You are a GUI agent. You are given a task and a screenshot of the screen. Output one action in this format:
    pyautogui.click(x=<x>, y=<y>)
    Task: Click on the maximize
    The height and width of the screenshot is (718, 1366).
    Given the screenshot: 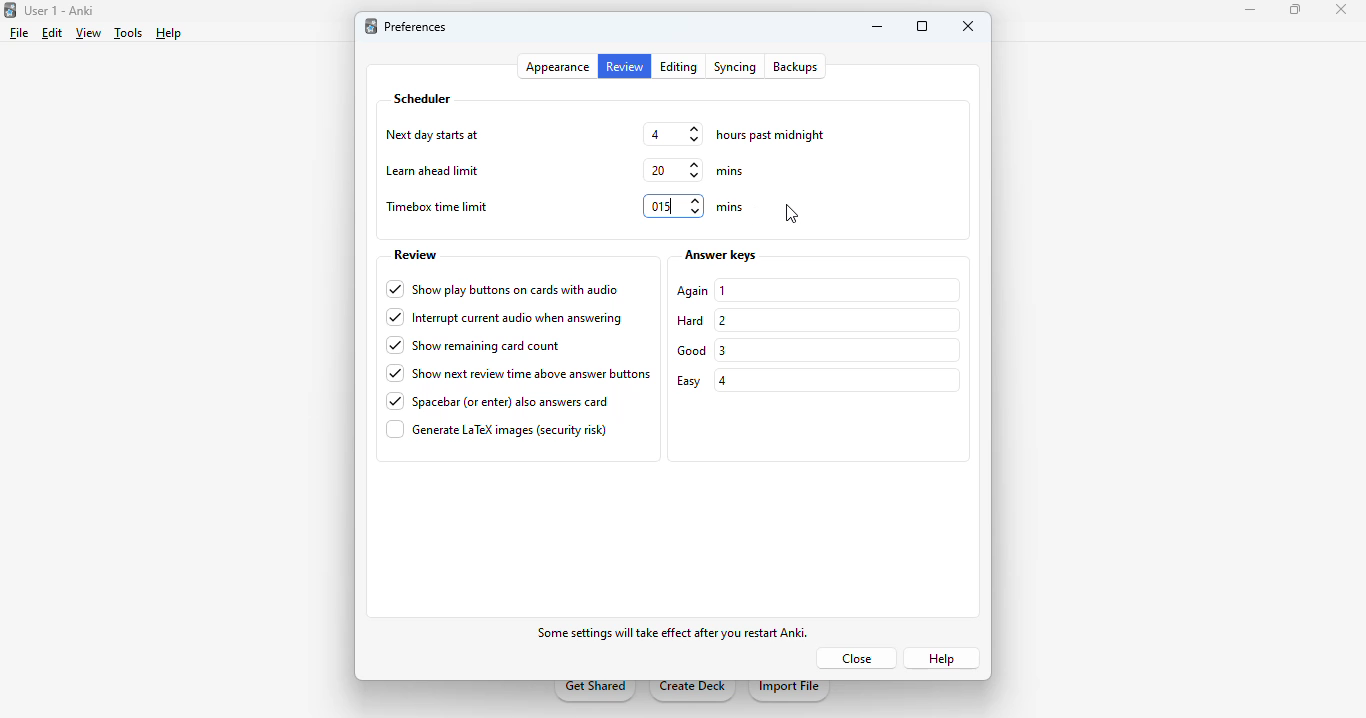 What is the action you would take?
    pyautogui.click(x=1295, y=10)
    